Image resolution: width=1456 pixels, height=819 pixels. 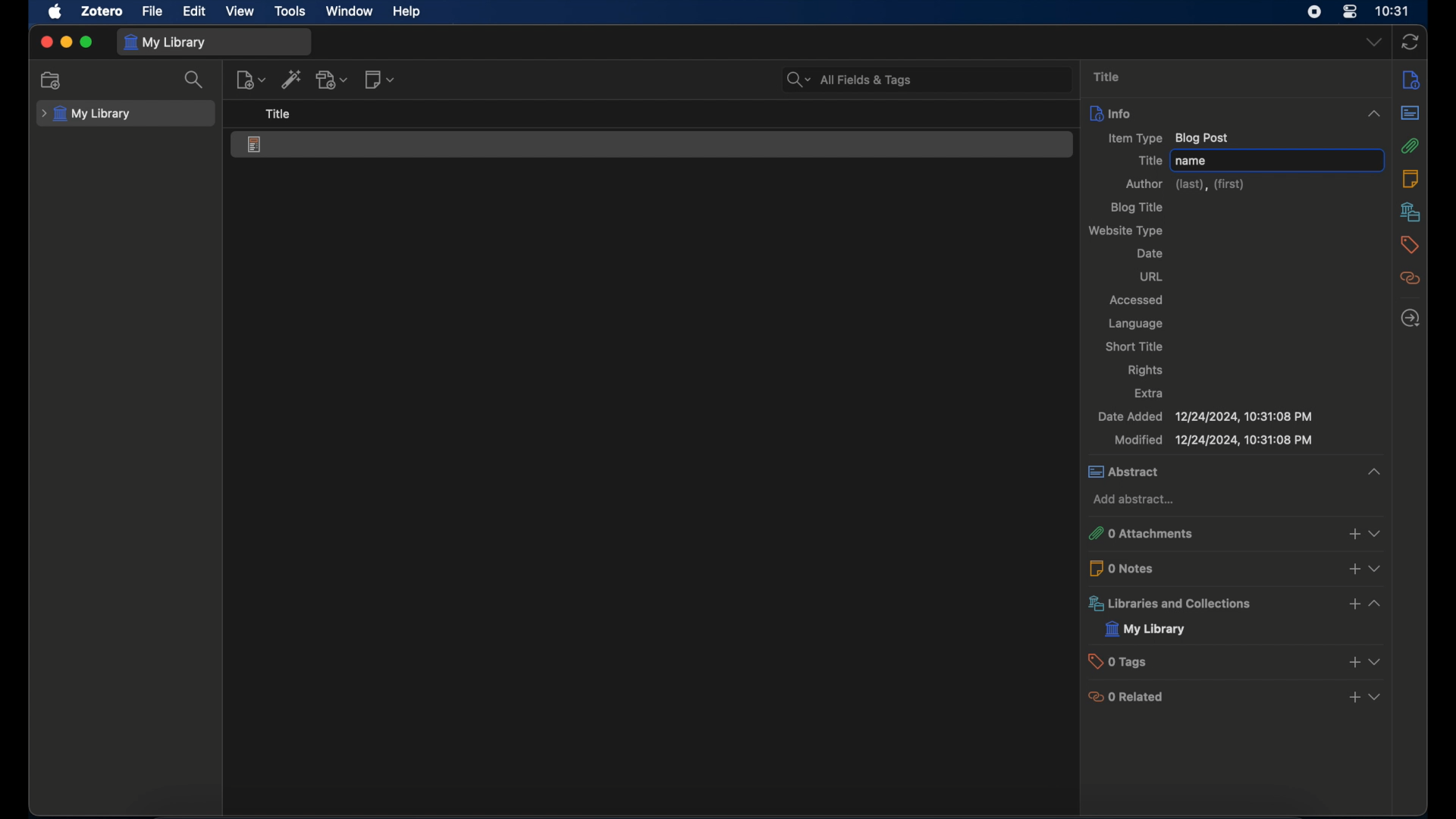 What do you see at coordinates (152, 11) in the screenshot?
I see `file` at bounding box center [152, 11].